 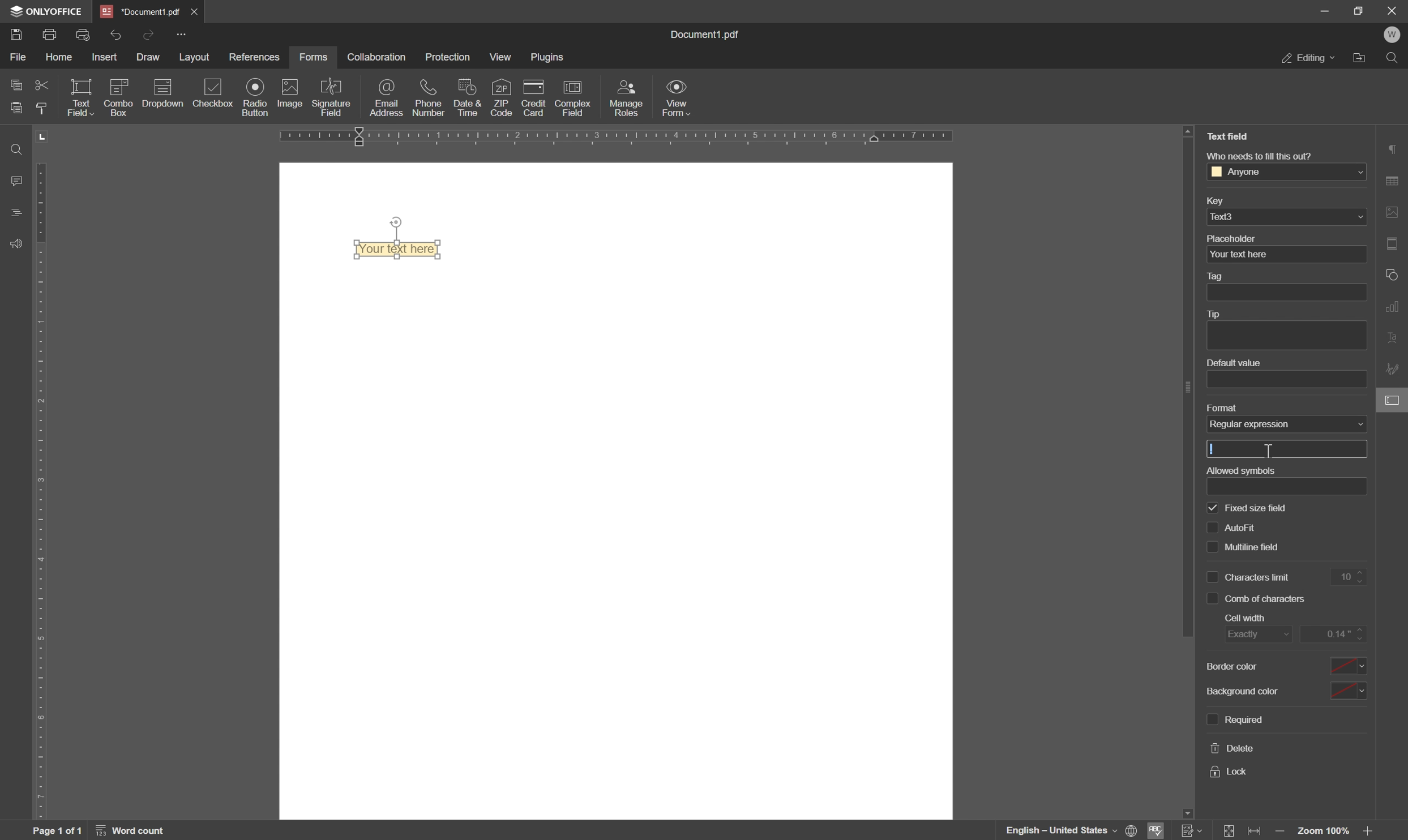 What do you see at coordinates (1210, 526) in the screenshot?
I see `checkbox` at bounding box center [1210, 526].